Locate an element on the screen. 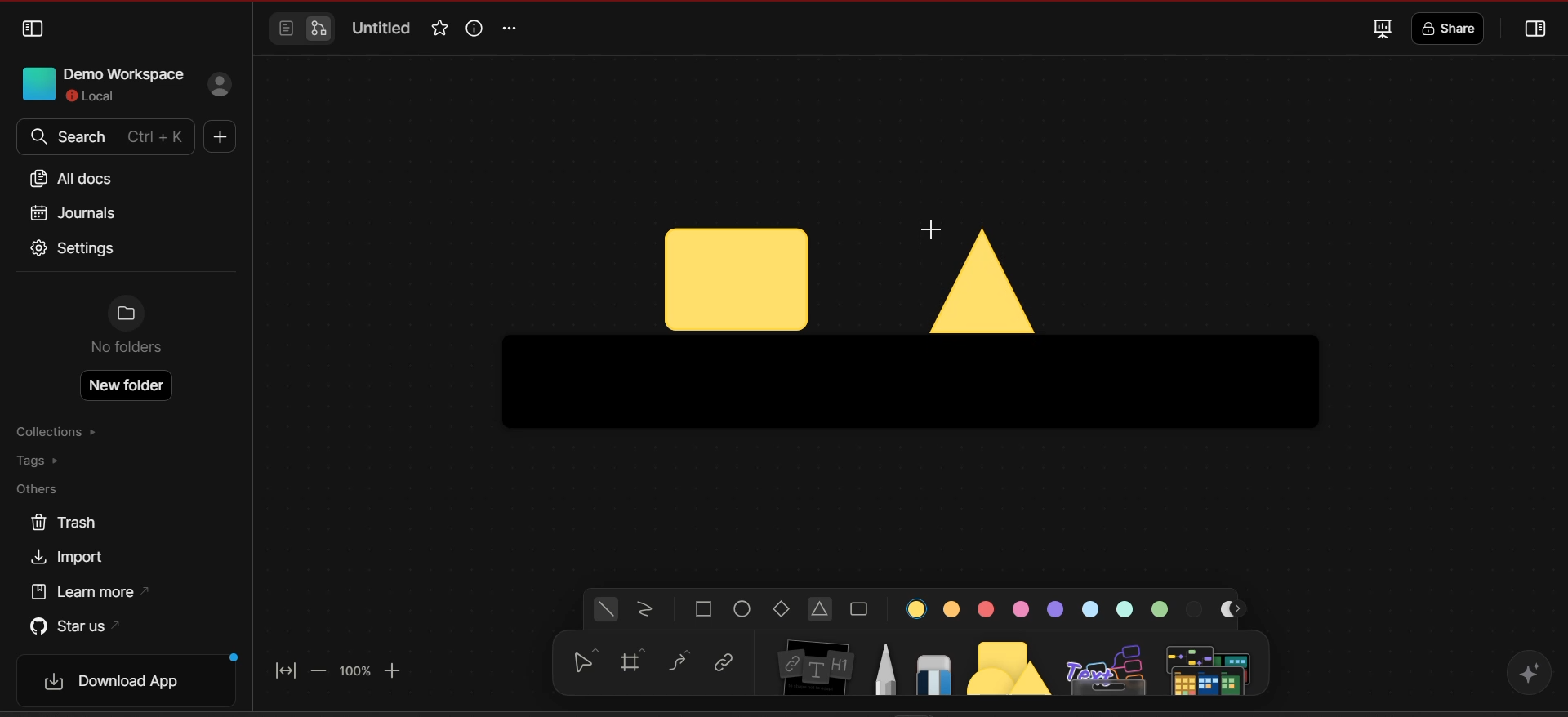 This screenshot has height=717, width=1568. cursor and shape current location is located at coordinates (980, 275).